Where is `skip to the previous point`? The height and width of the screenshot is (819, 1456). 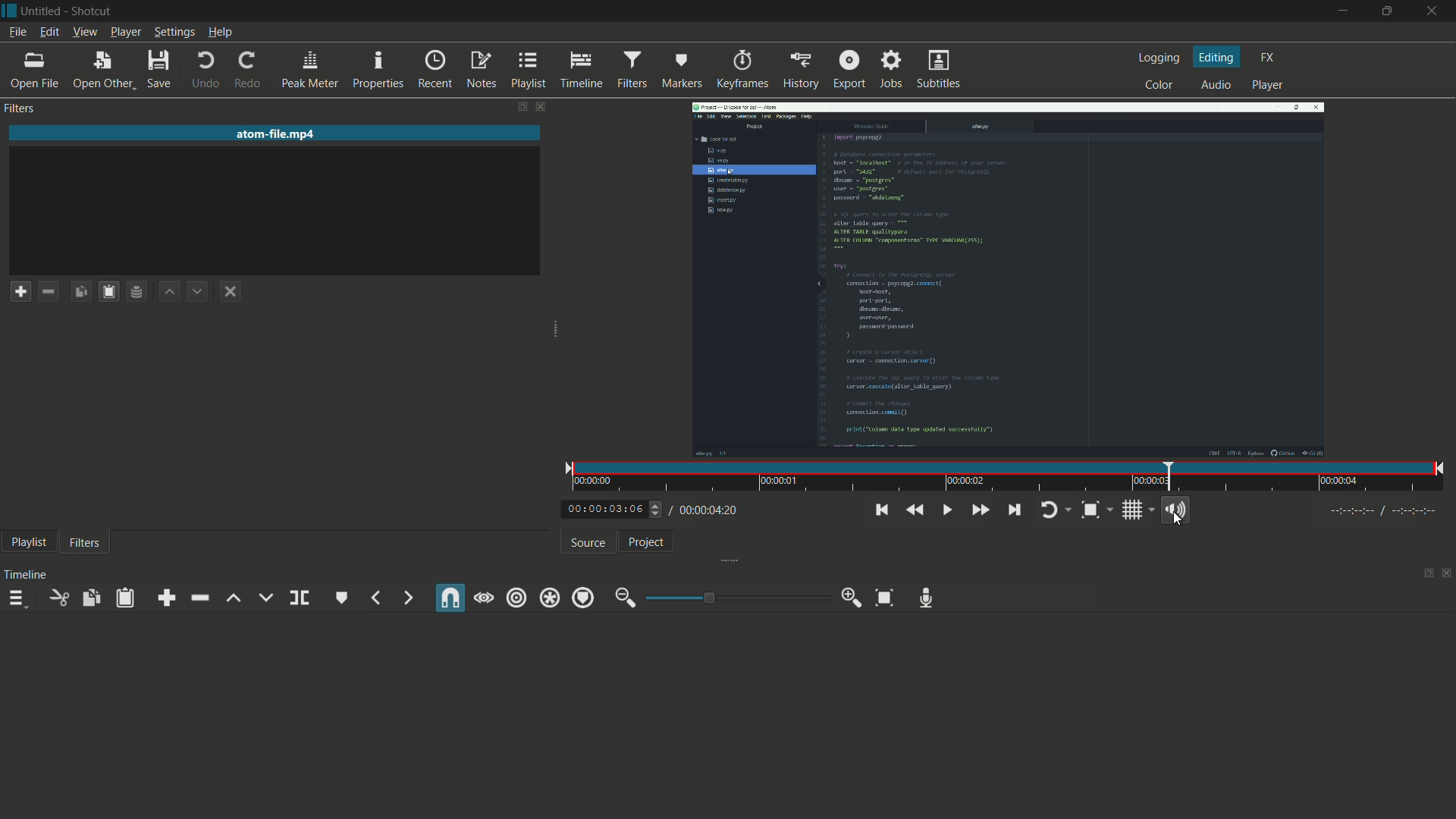
skip to the previous point is located at coordinates (881, 510).